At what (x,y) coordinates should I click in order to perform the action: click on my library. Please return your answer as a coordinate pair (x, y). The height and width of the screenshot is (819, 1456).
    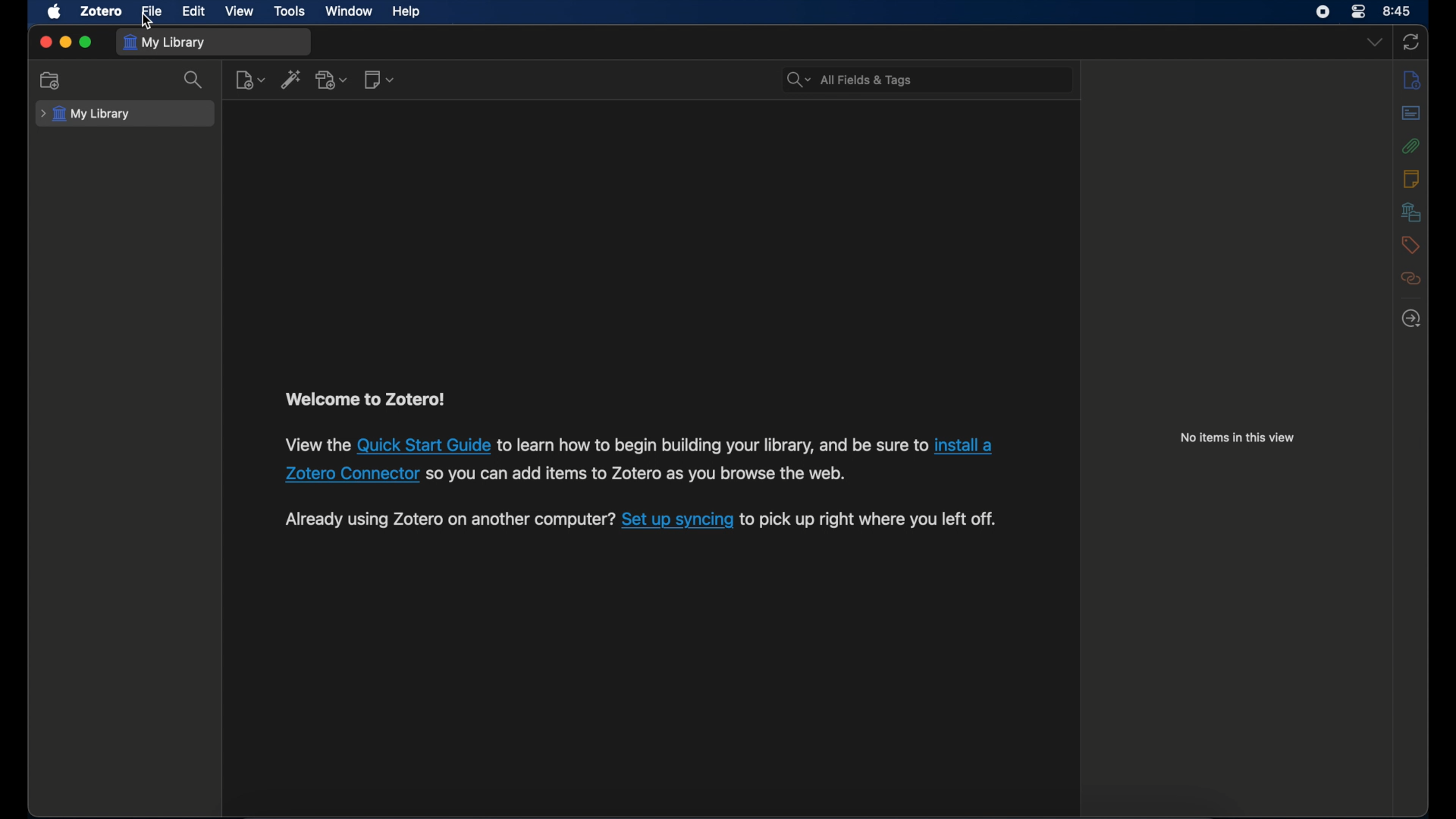
    Looking at the image, I should click on (165, 42).